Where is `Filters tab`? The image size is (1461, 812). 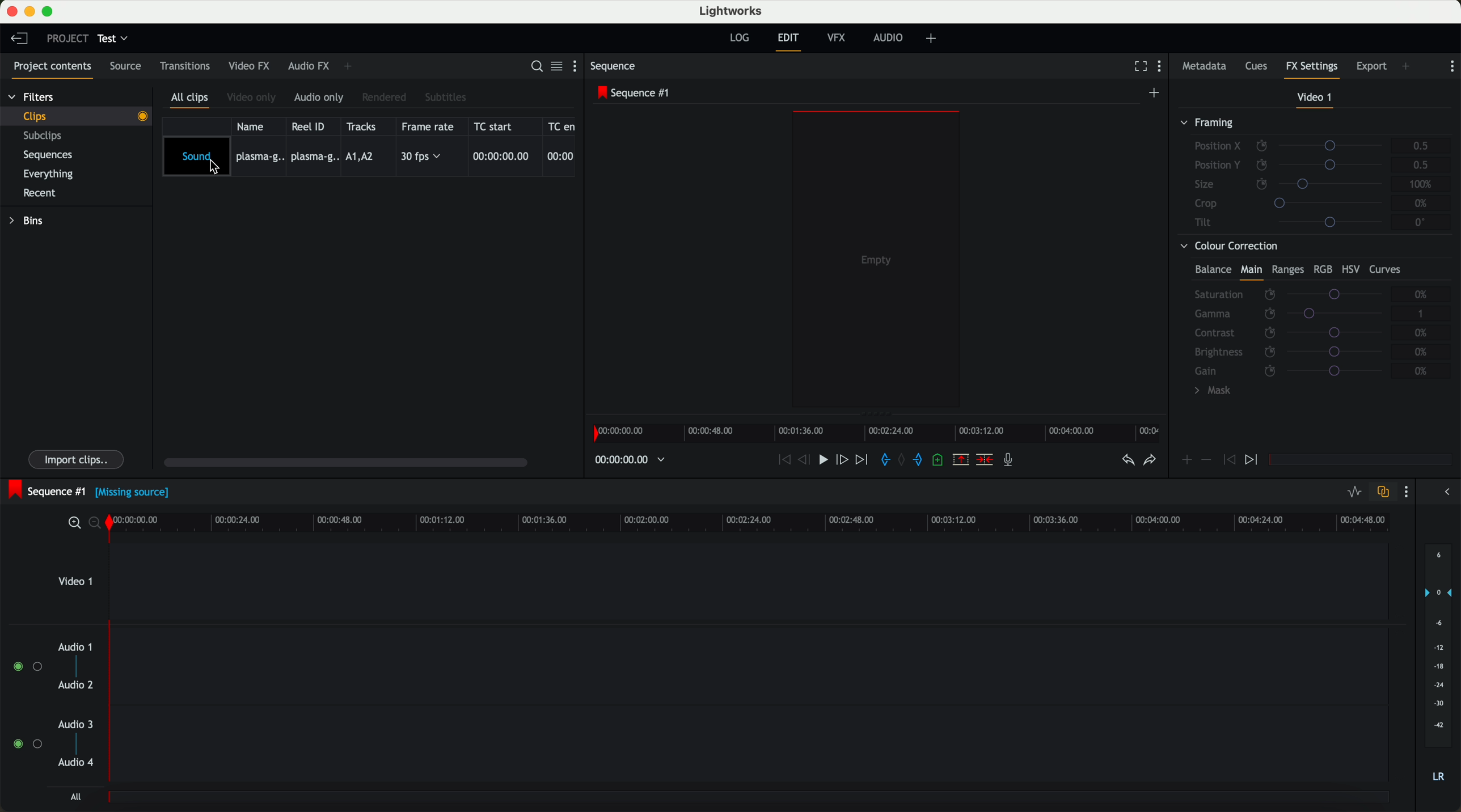 Filters tab is located at coordinates (31, 99).